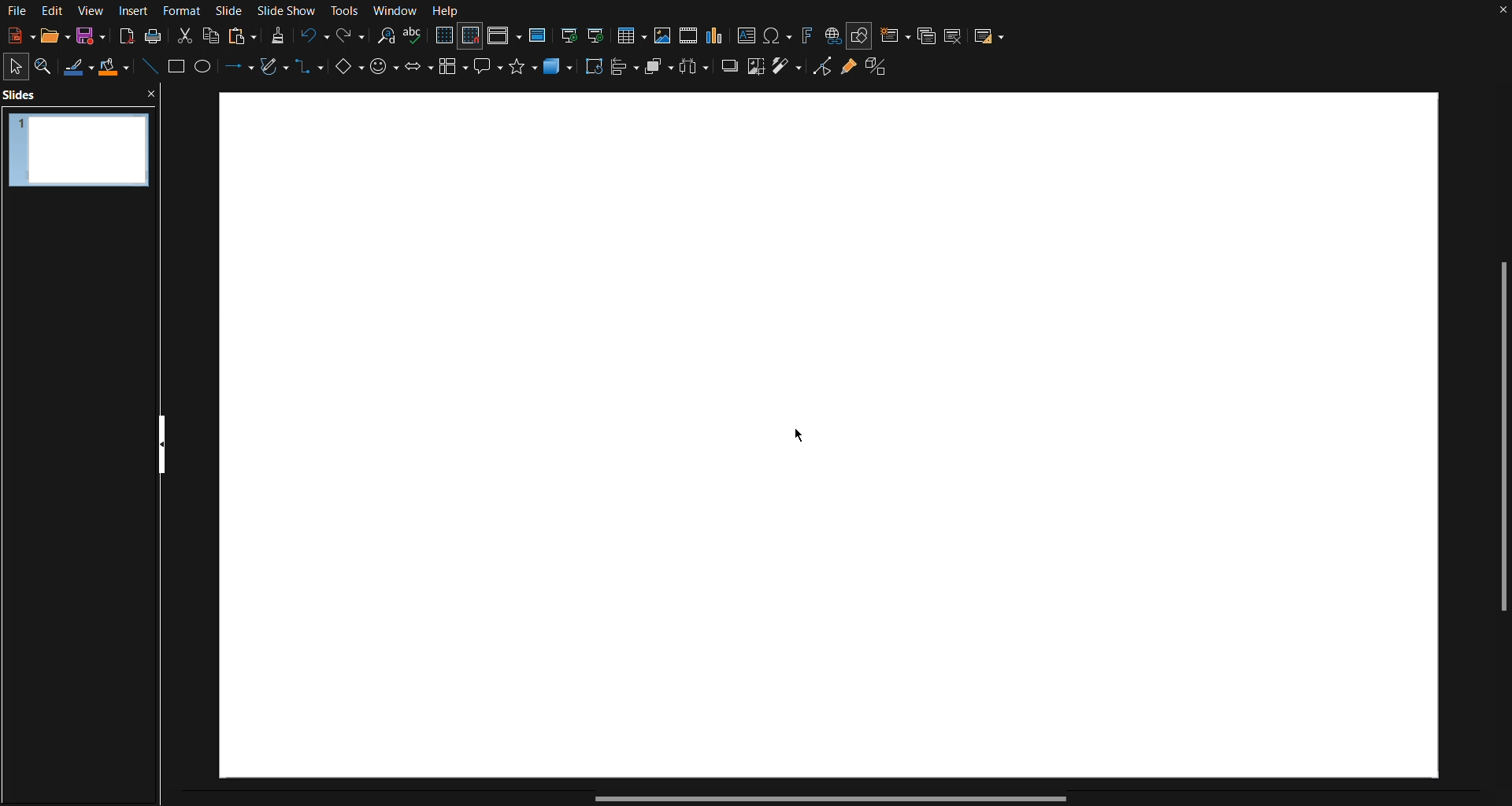  What do you see at coordinates (152, 93) in the screenshot?
I see `close` at bounding box center [152, 93].